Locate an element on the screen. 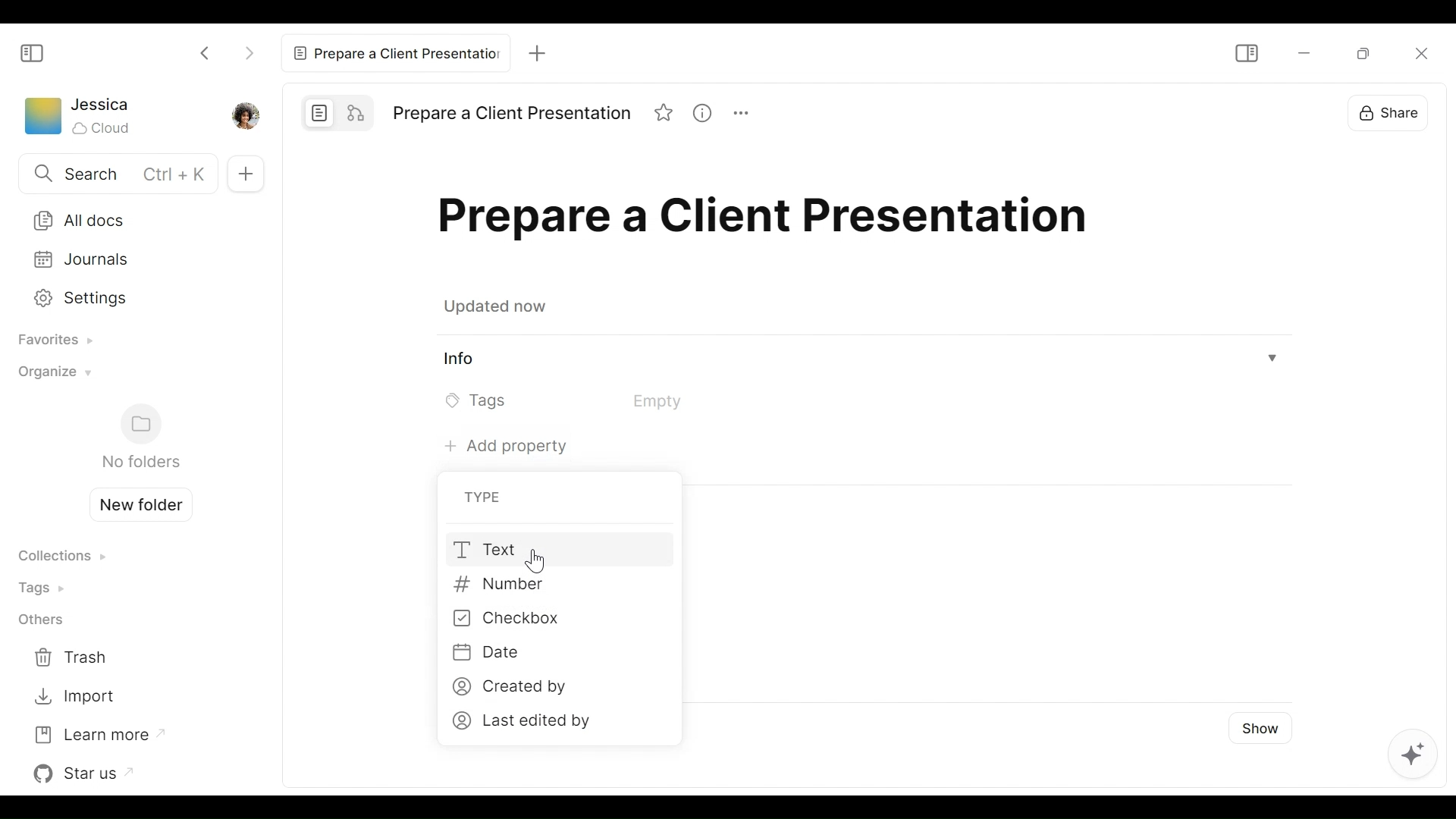 This screenshot has width=1456, height=819. View Information is located at coordinates (708, 115).